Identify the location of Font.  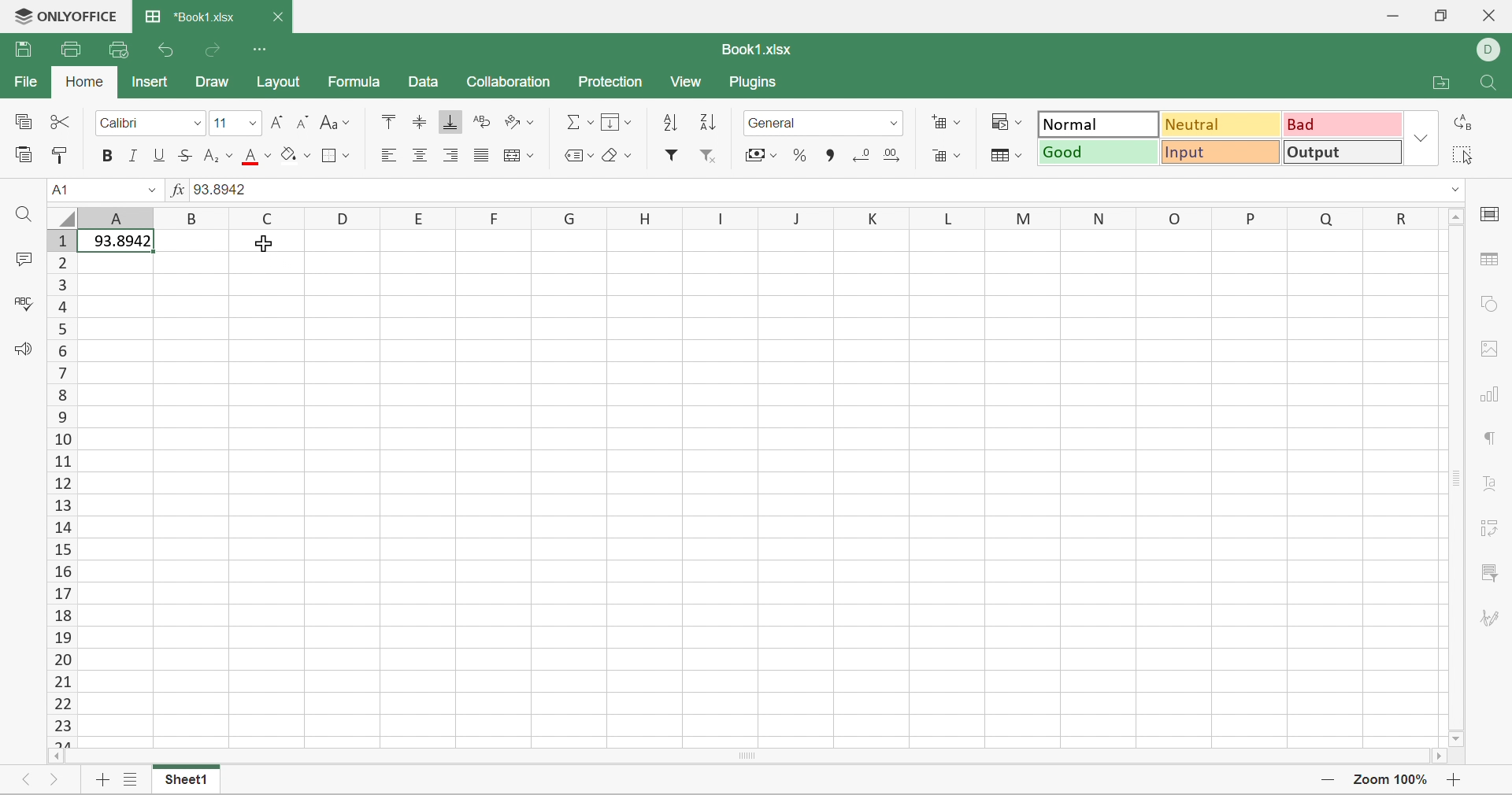
(123, 122).